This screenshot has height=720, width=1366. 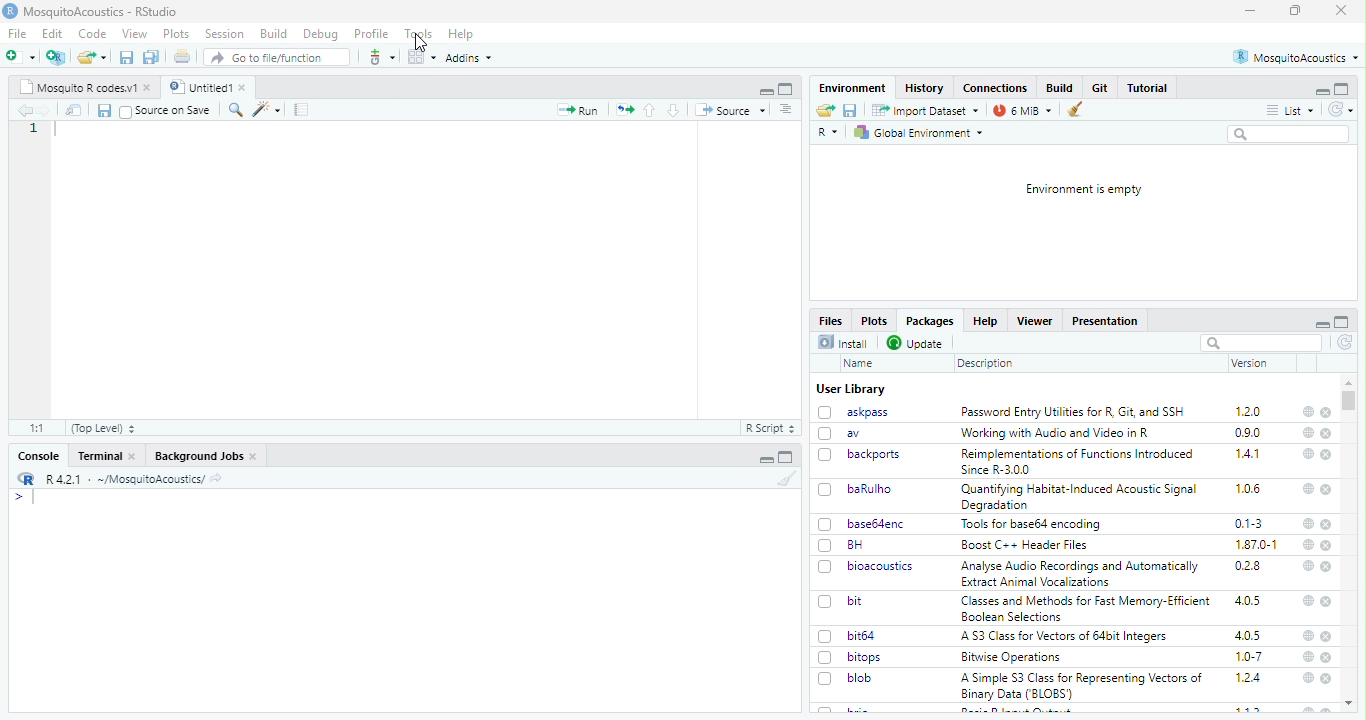 I want to click on askpass, so click(x=868, y=412).